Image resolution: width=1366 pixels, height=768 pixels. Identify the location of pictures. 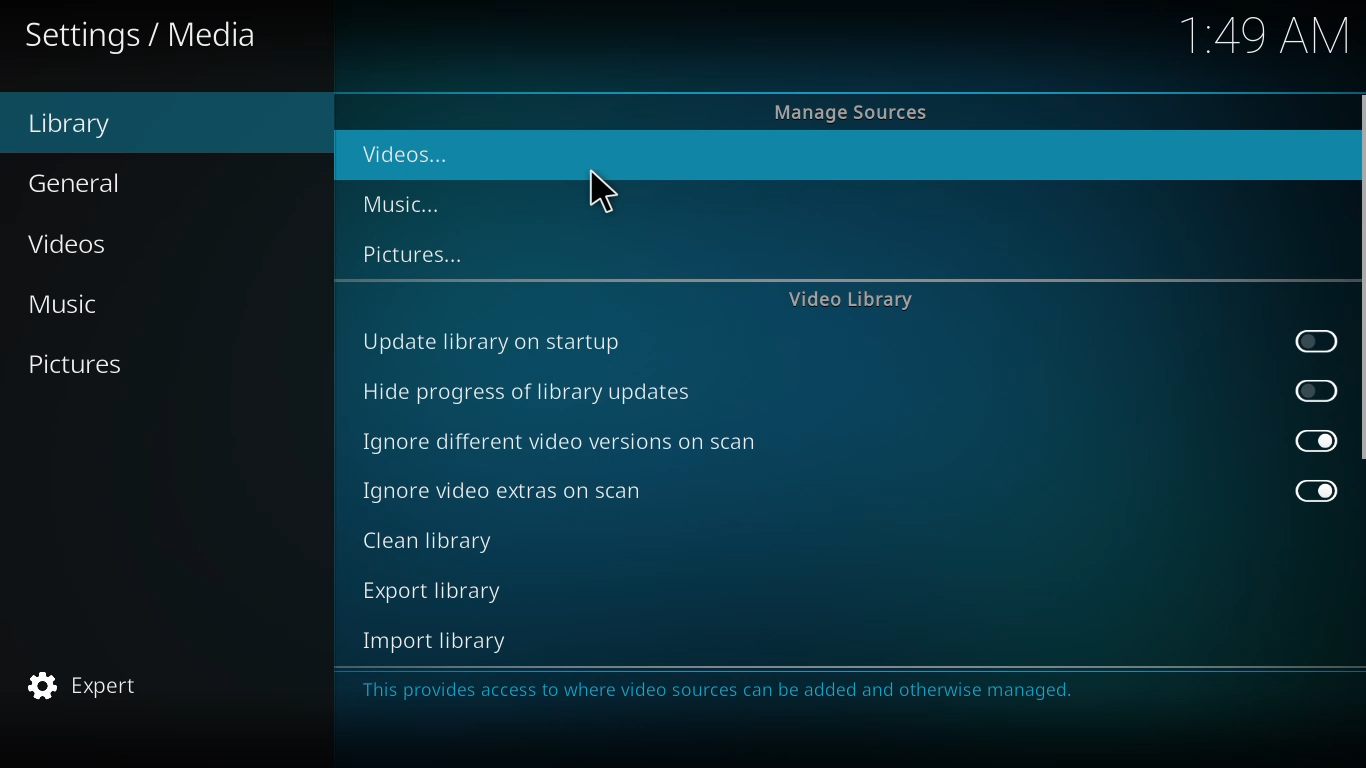
(77, 362).